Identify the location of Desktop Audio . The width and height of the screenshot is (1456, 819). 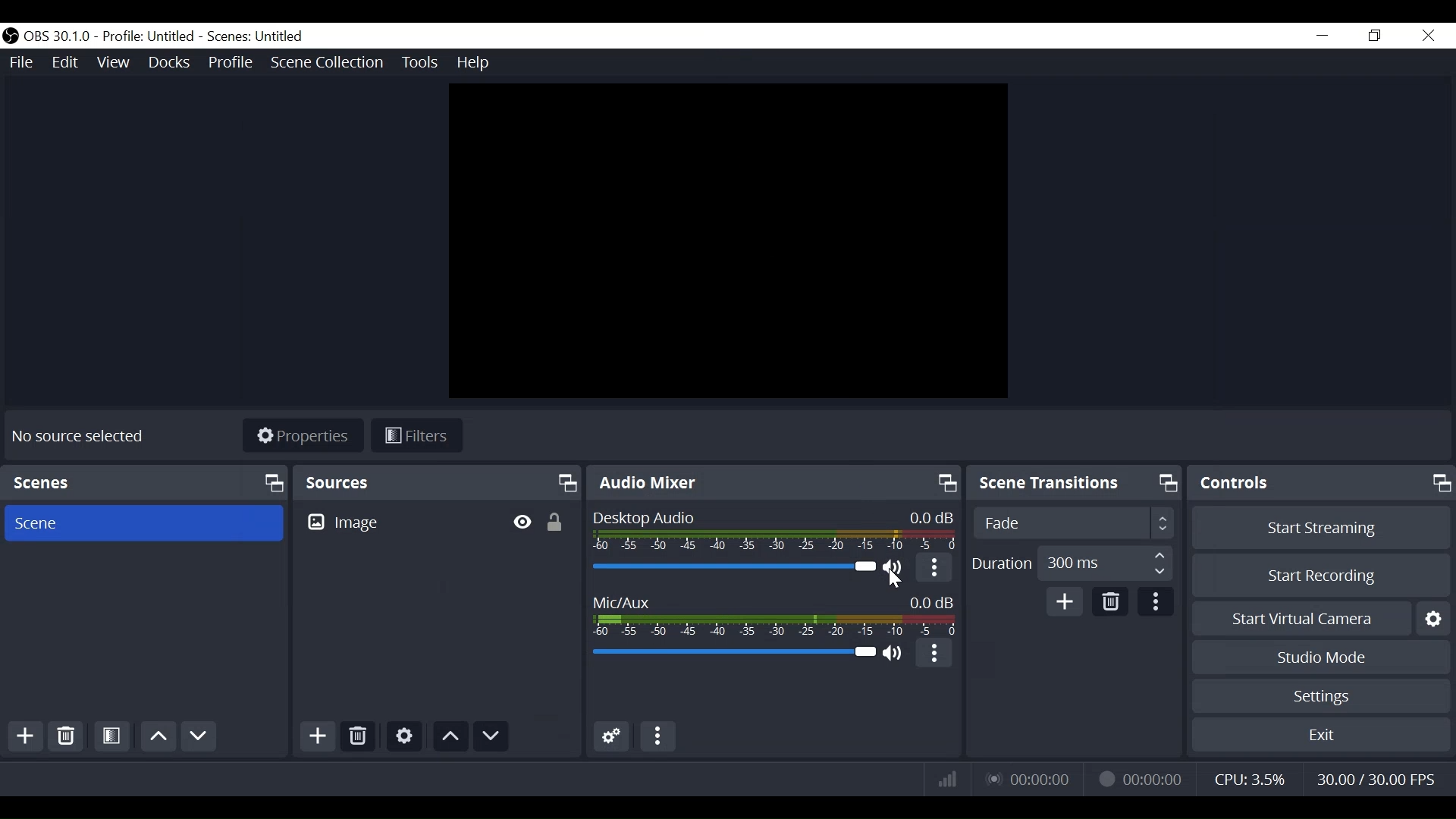
(774, 531).